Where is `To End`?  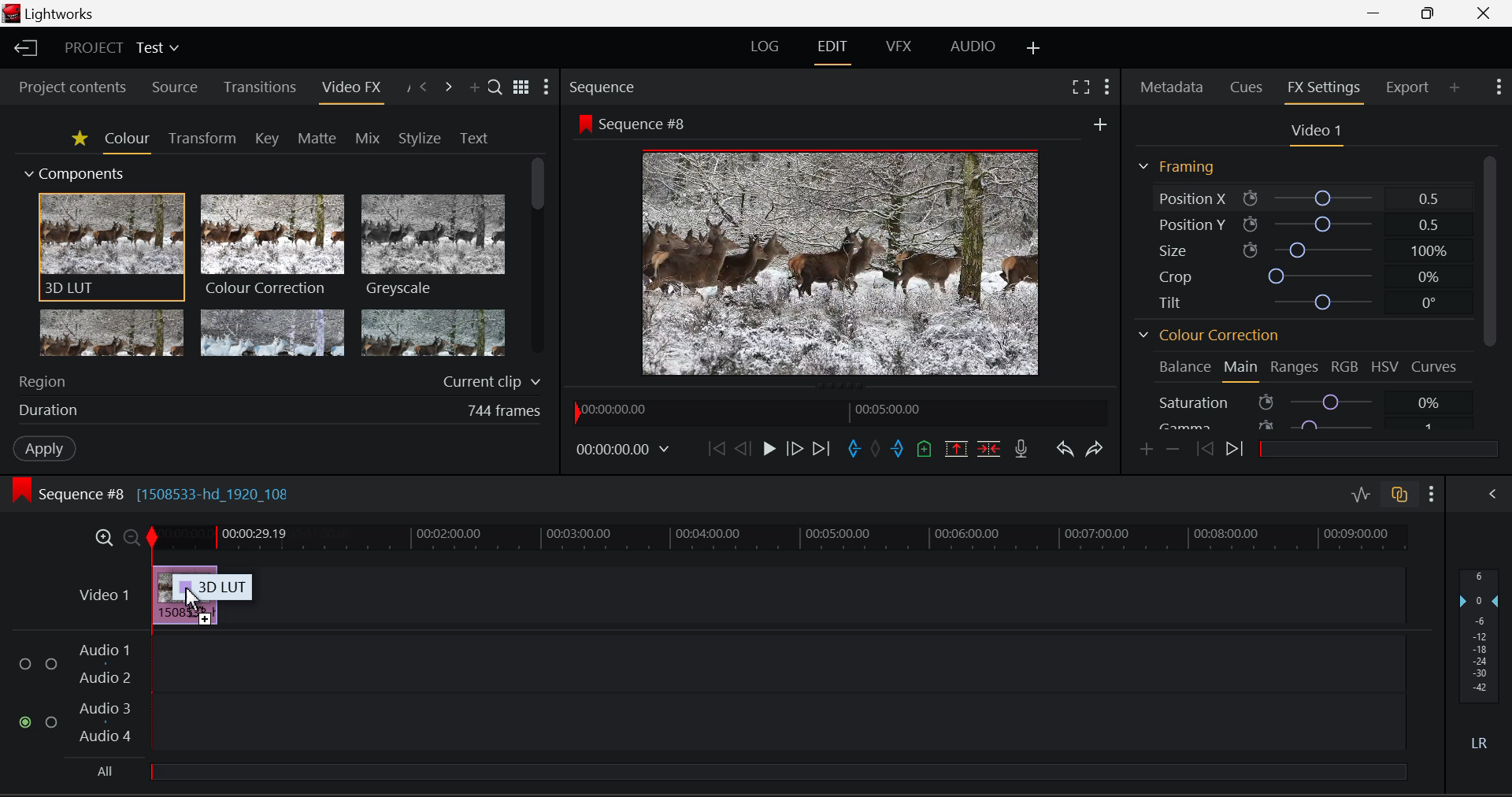 To End is located at coordinates (822, 451).